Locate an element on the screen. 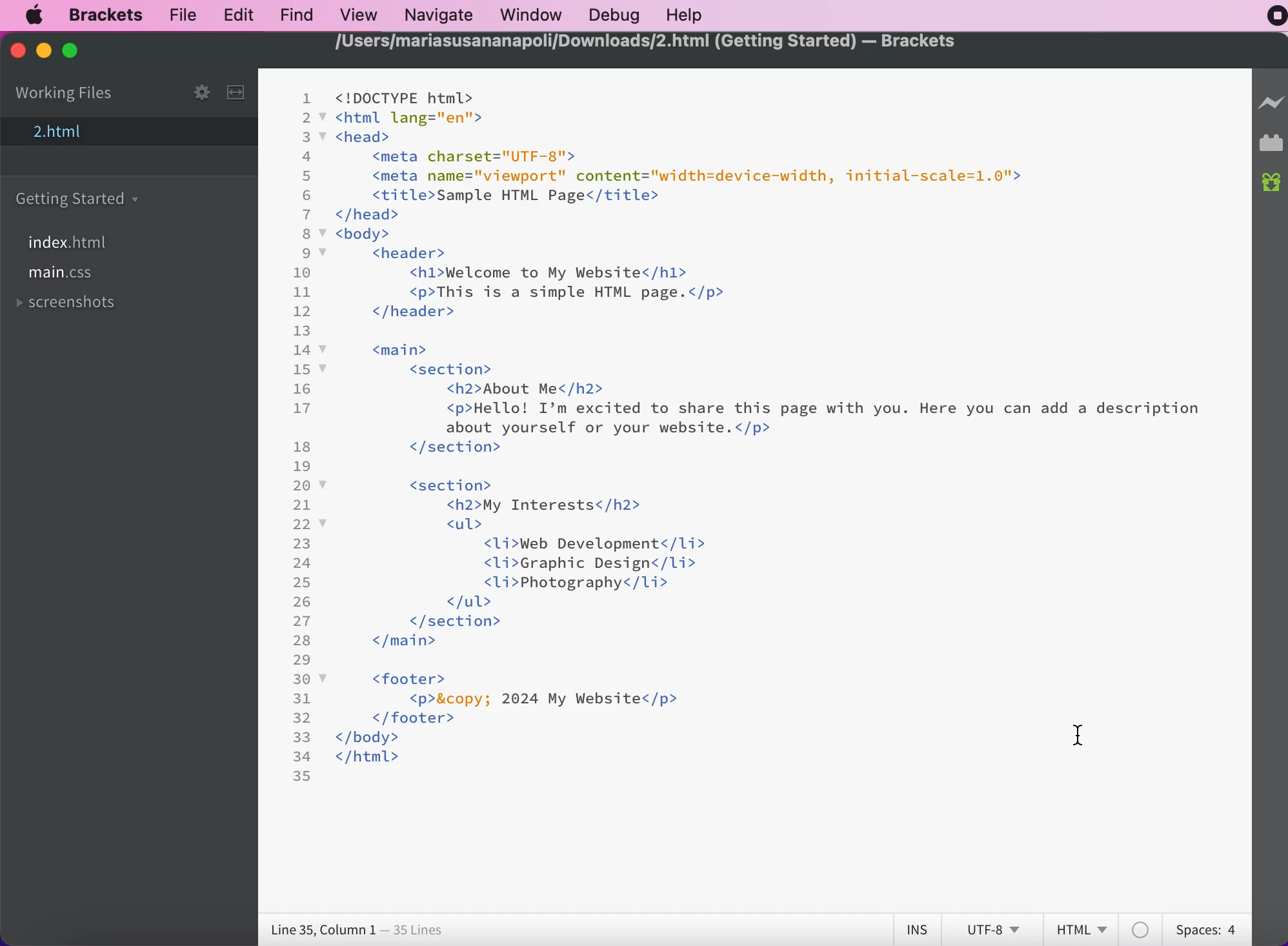 The width and height of the screenshot is (1288, 946). code fold is located at coordinates (324, 136).